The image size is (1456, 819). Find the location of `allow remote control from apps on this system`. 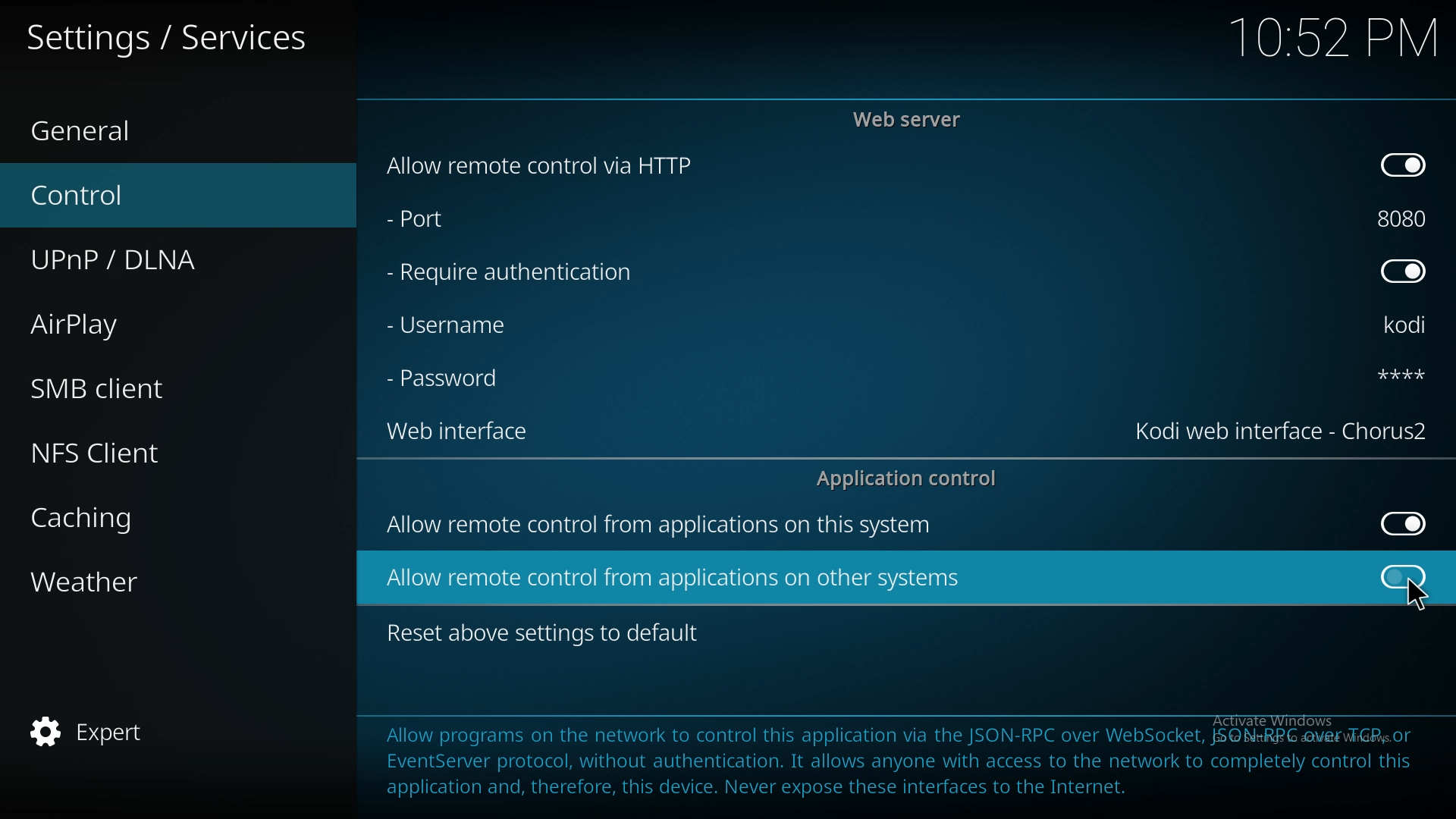

allow remote control from apps on this system is located at coordinates (661, 528).